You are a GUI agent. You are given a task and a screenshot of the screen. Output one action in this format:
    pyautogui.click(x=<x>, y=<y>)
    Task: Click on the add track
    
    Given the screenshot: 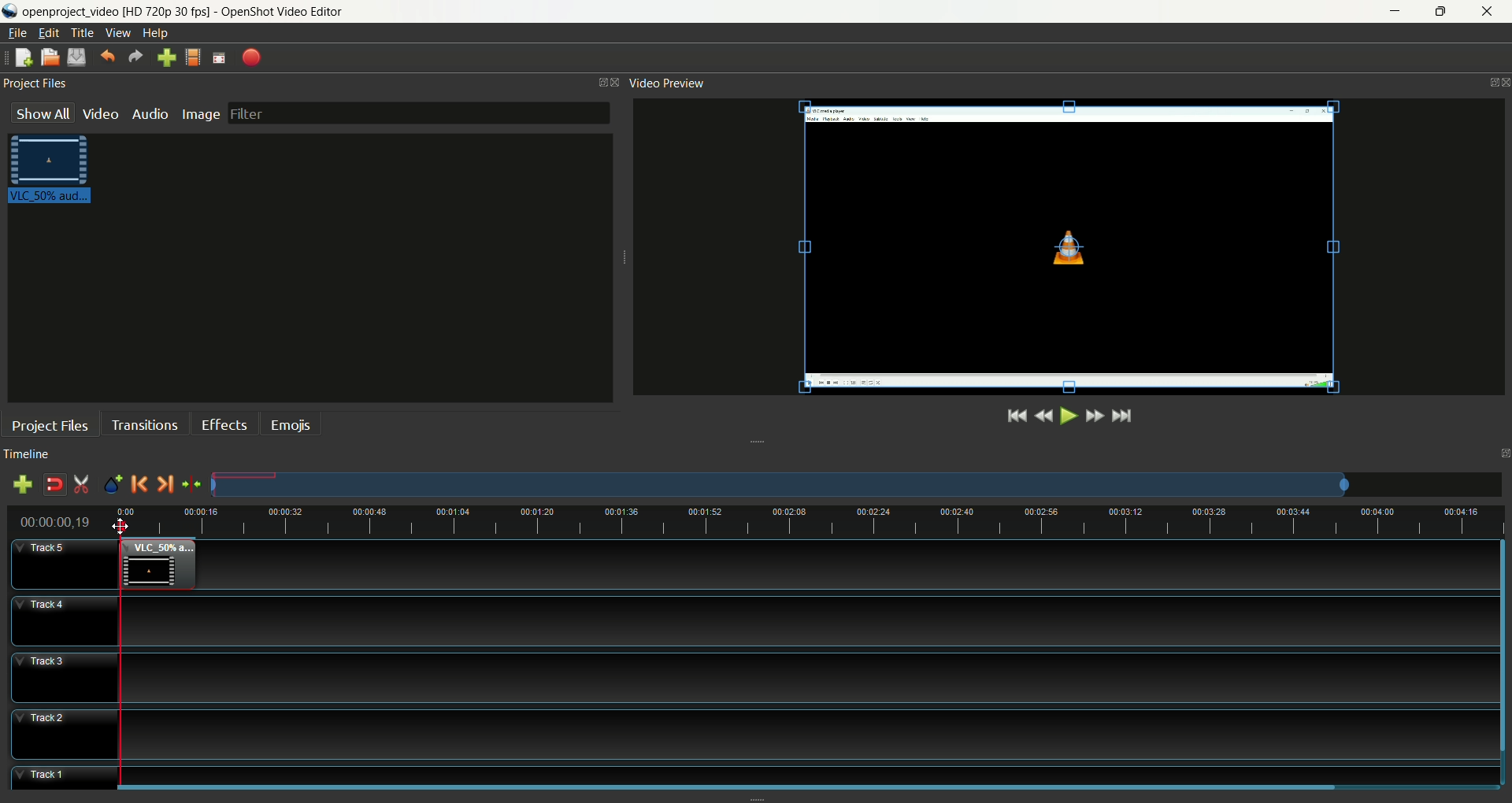 What is the action you would take?
    pyautogui.click(x=26, y=485)
    